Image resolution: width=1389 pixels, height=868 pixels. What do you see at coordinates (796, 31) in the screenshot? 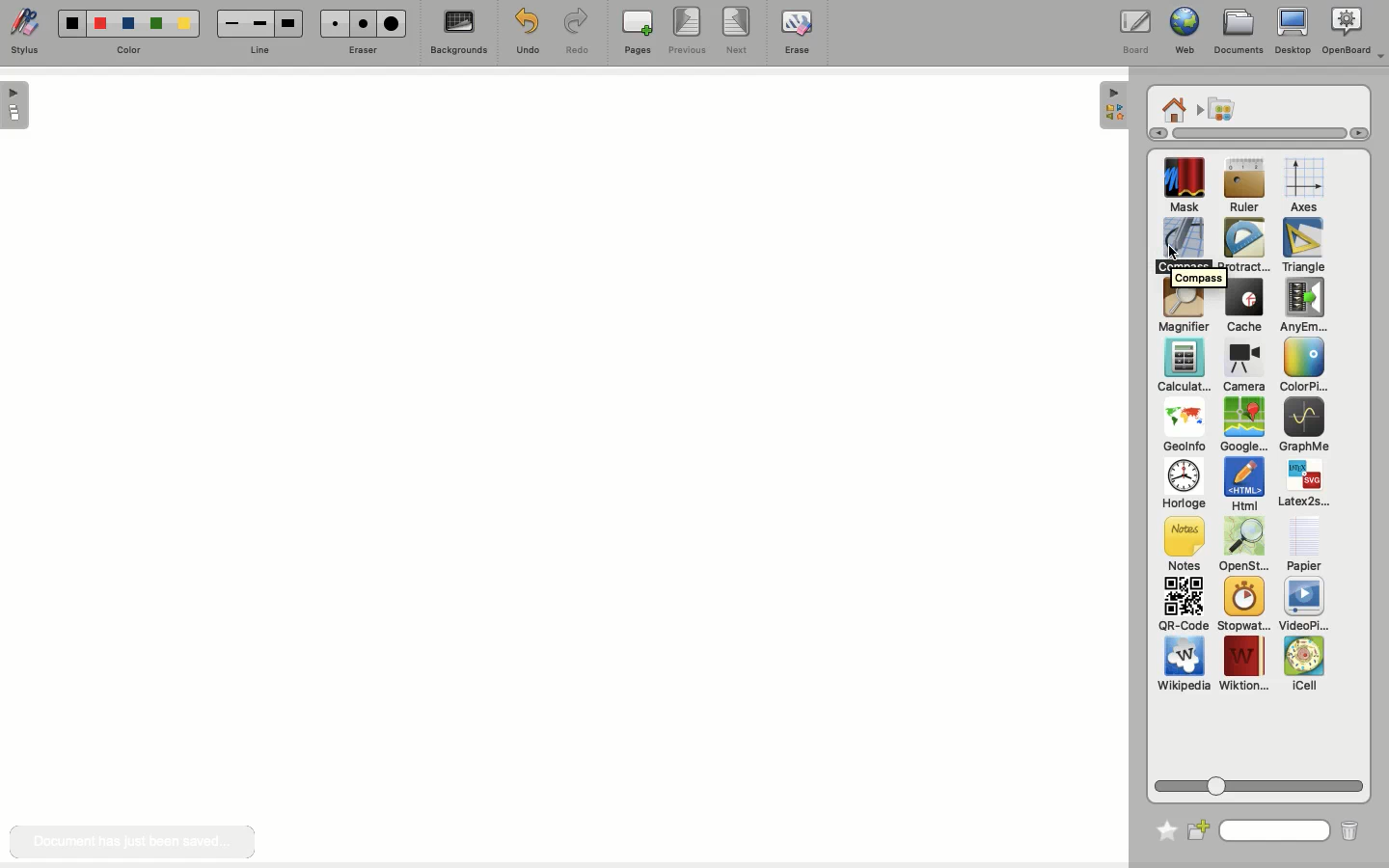
I see `Erase` at bounding box center [796, 31].